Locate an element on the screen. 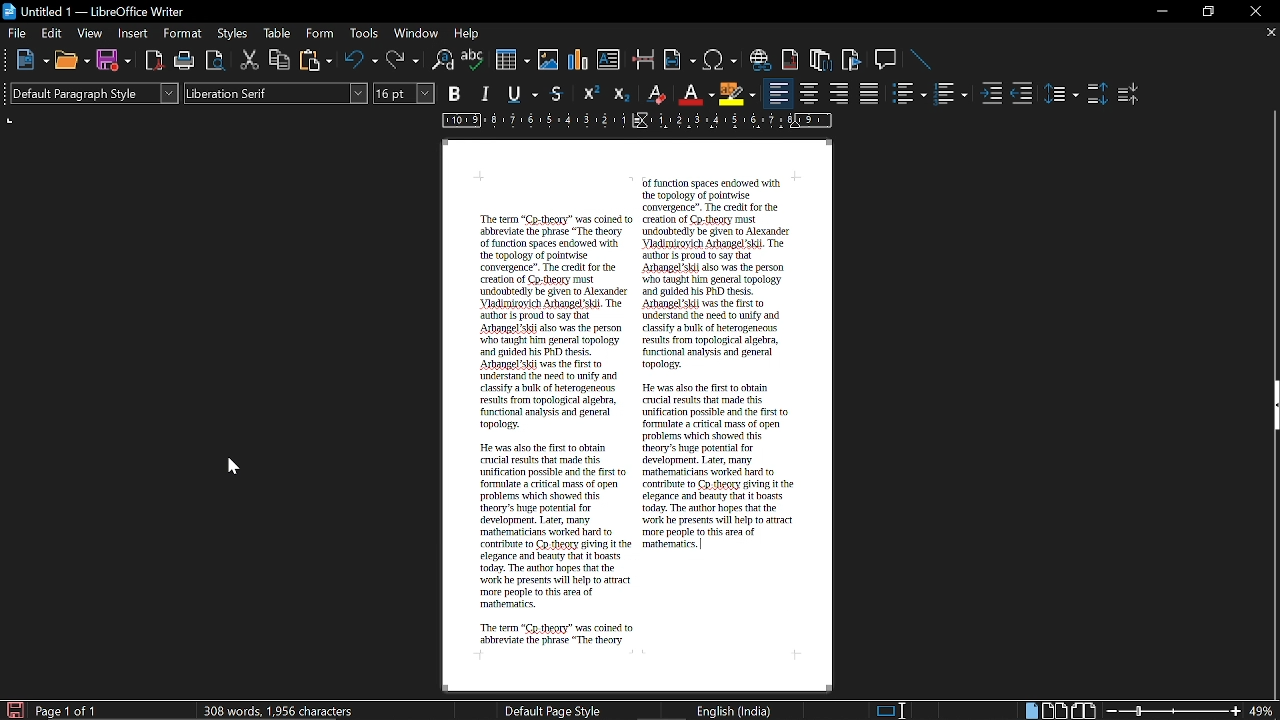 This screenshot has height=720, width=1280. Insert Image is located at coordinates (550, 60).